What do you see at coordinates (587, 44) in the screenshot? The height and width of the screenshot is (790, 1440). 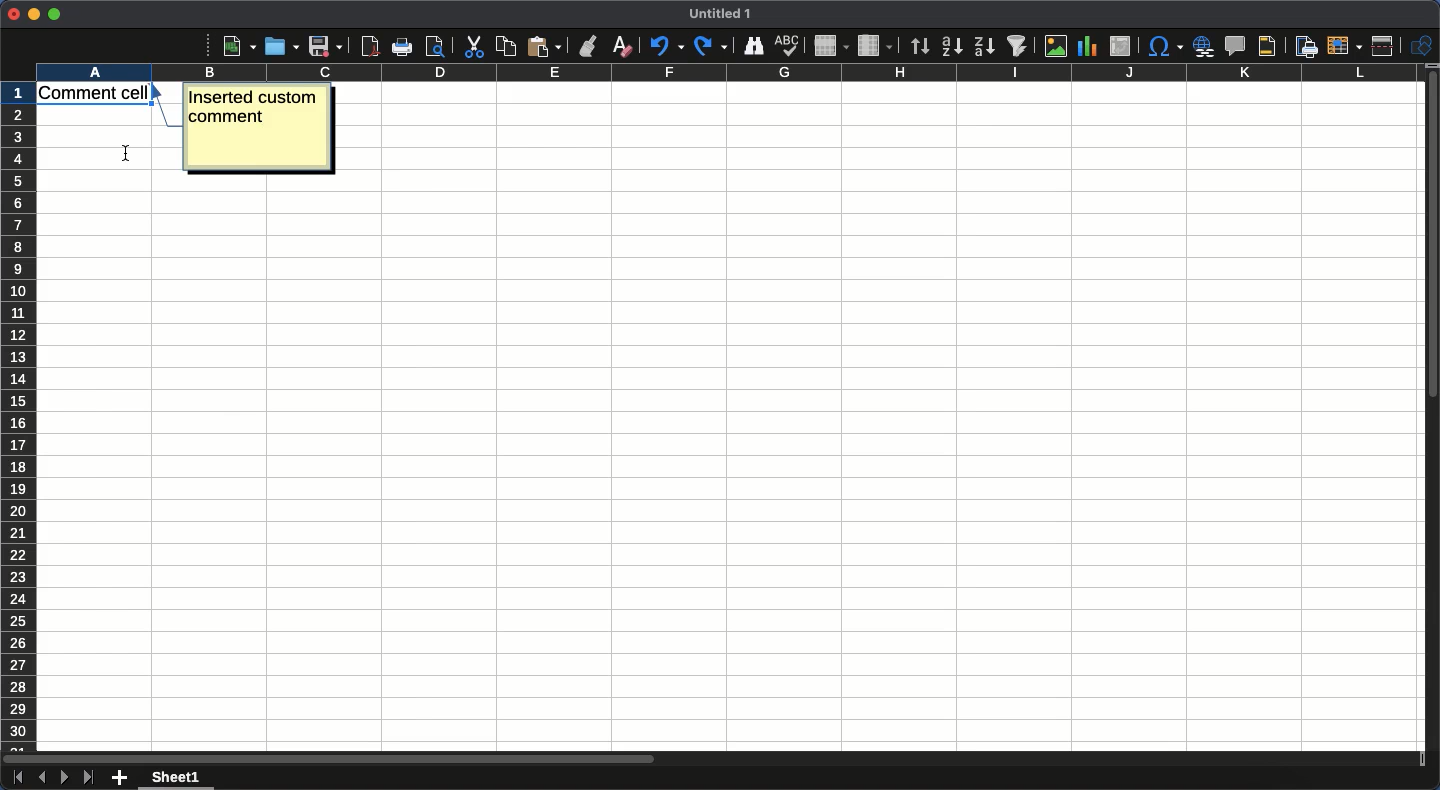 I see `Clone formatting` at bounding box center [587, 44].